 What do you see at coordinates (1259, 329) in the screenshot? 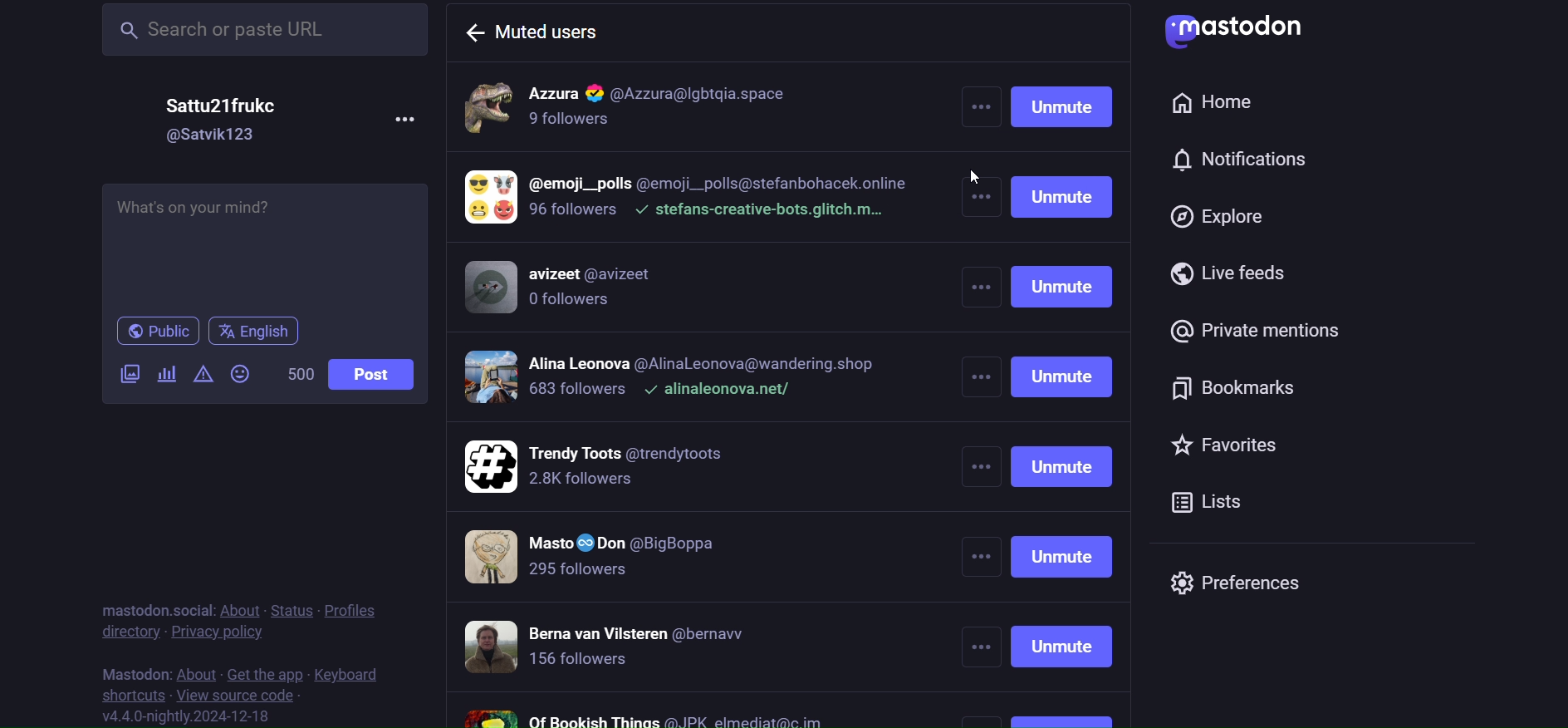
I see `private mention` at bounding box center [1259, 329].